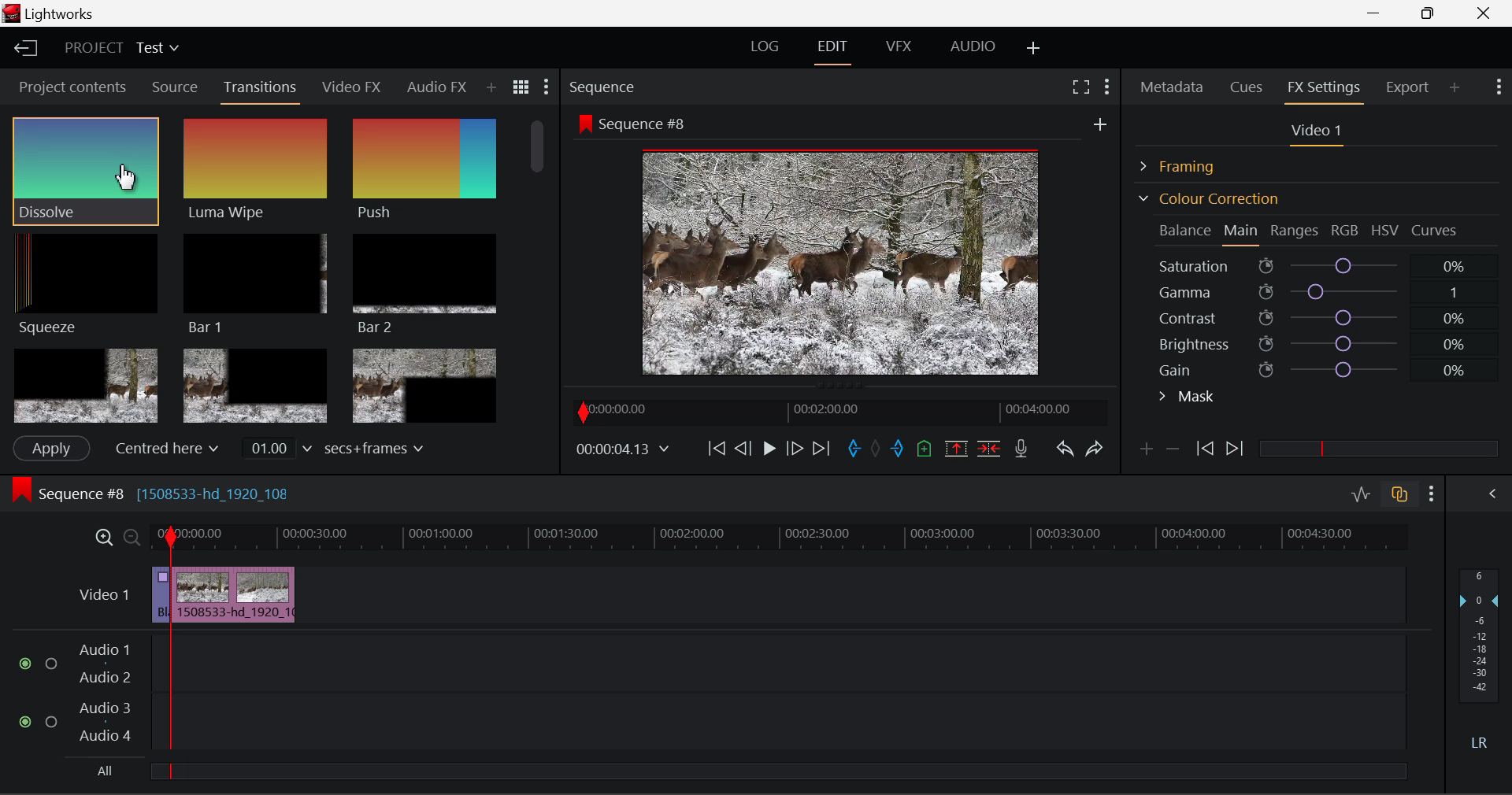  Describe the element at coordinates (624, 450) in the screenshot. I see `Frame Time` at that location.